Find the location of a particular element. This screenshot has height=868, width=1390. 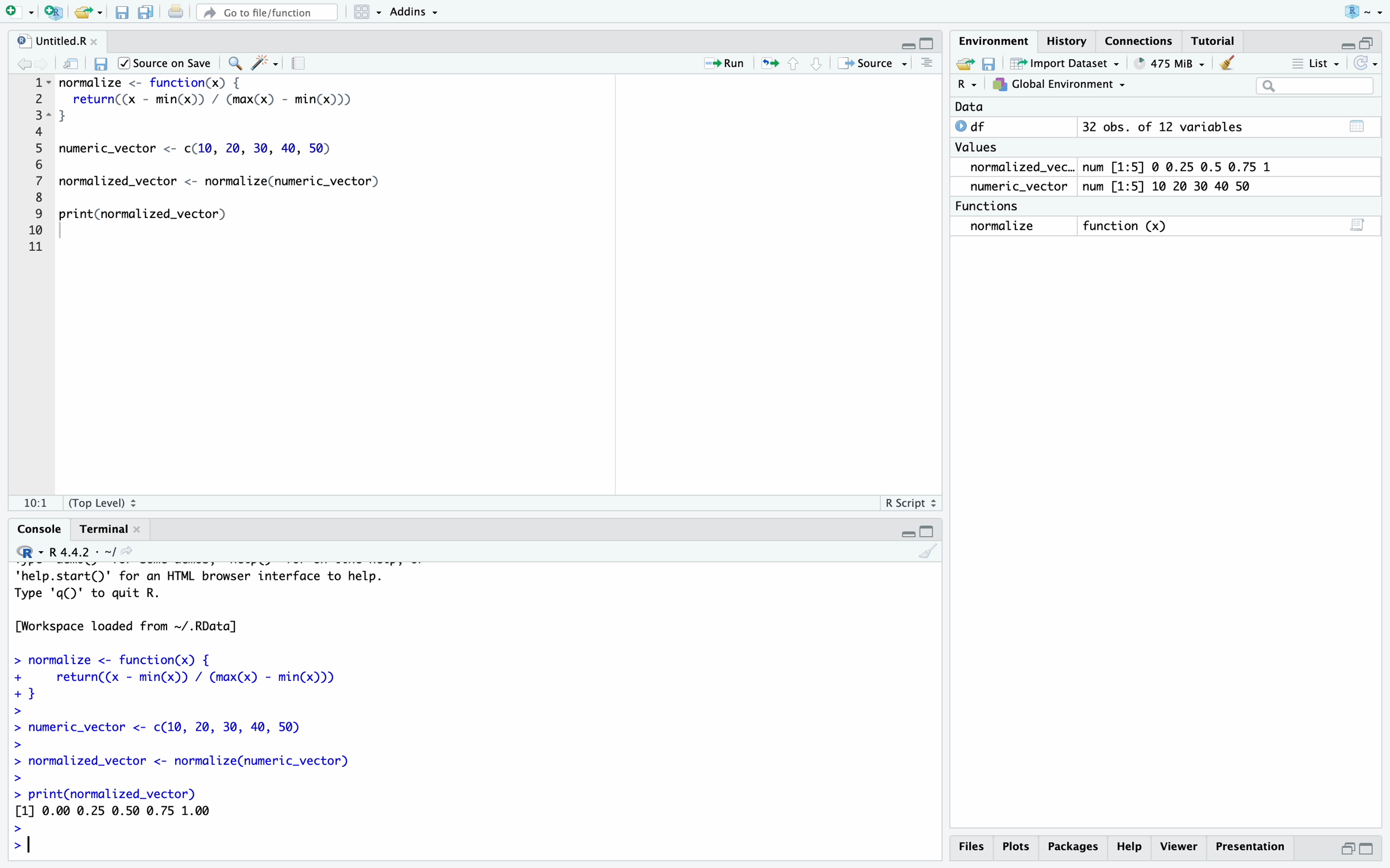

Terminal is located at coordinates (105, 530).